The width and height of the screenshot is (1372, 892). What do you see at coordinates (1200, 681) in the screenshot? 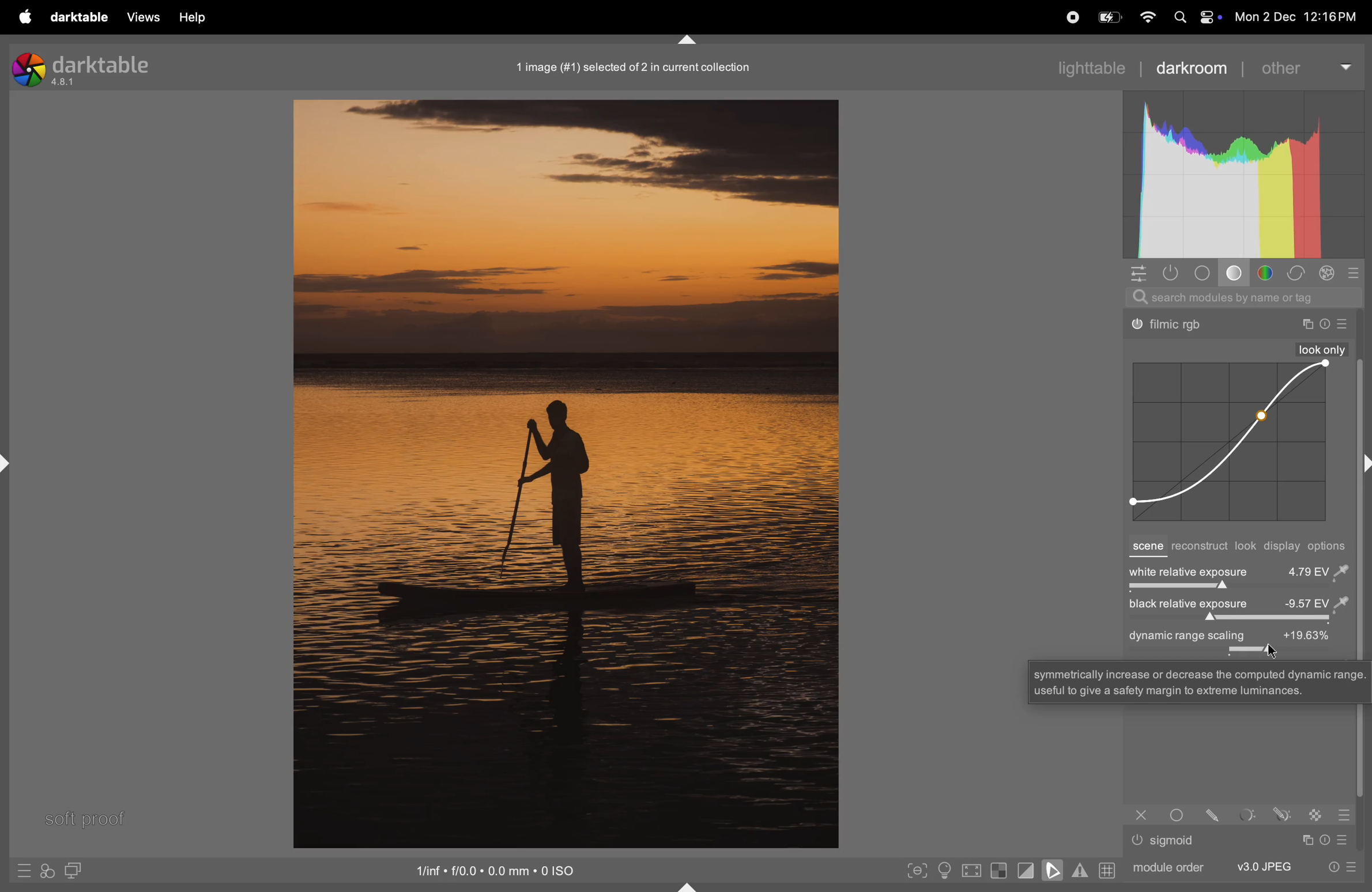
I see `` at bounding box center [1200, 681].